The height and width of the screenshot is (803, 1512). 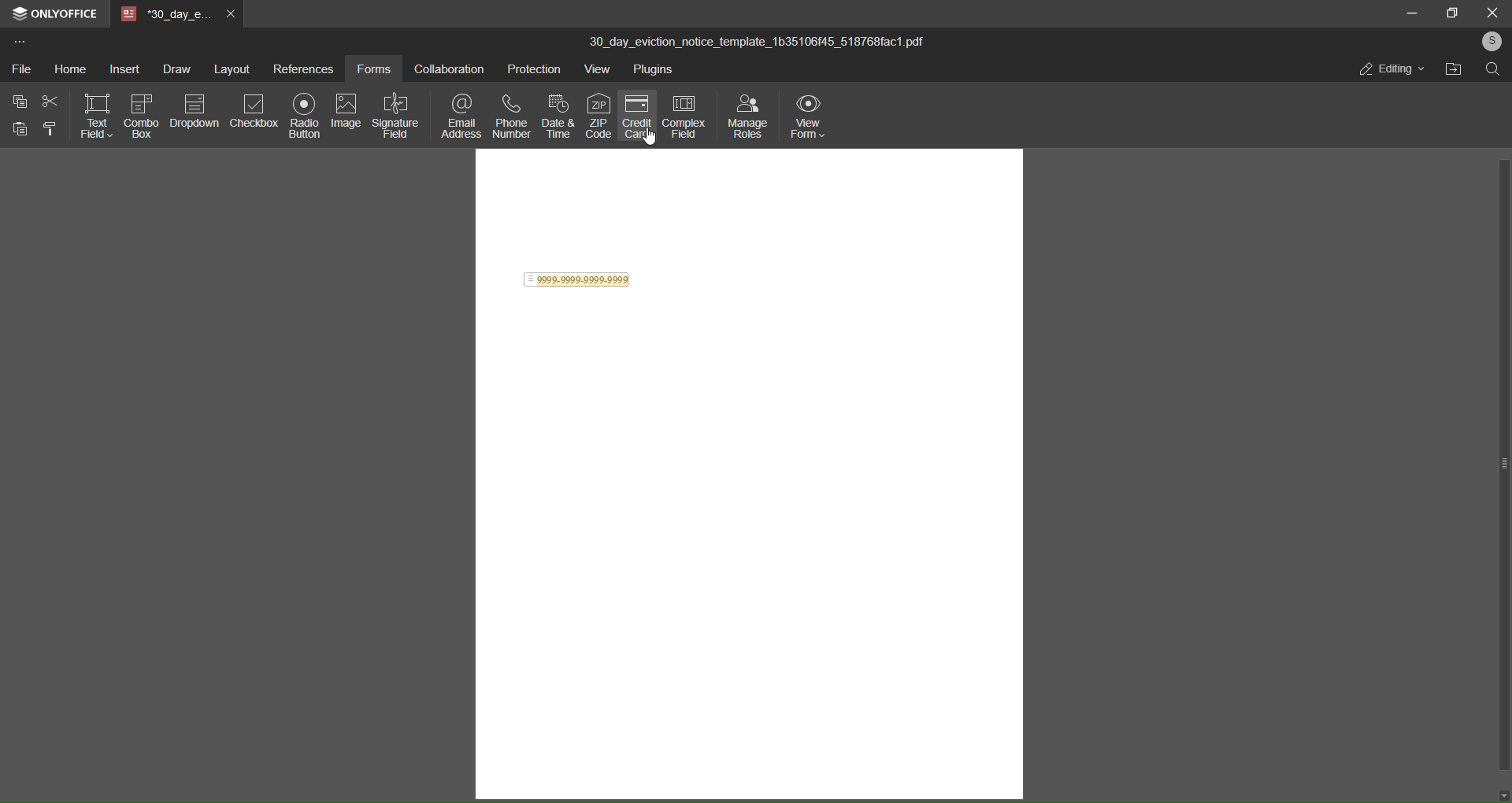 I want to click on check box, so click(x=140, y=115).